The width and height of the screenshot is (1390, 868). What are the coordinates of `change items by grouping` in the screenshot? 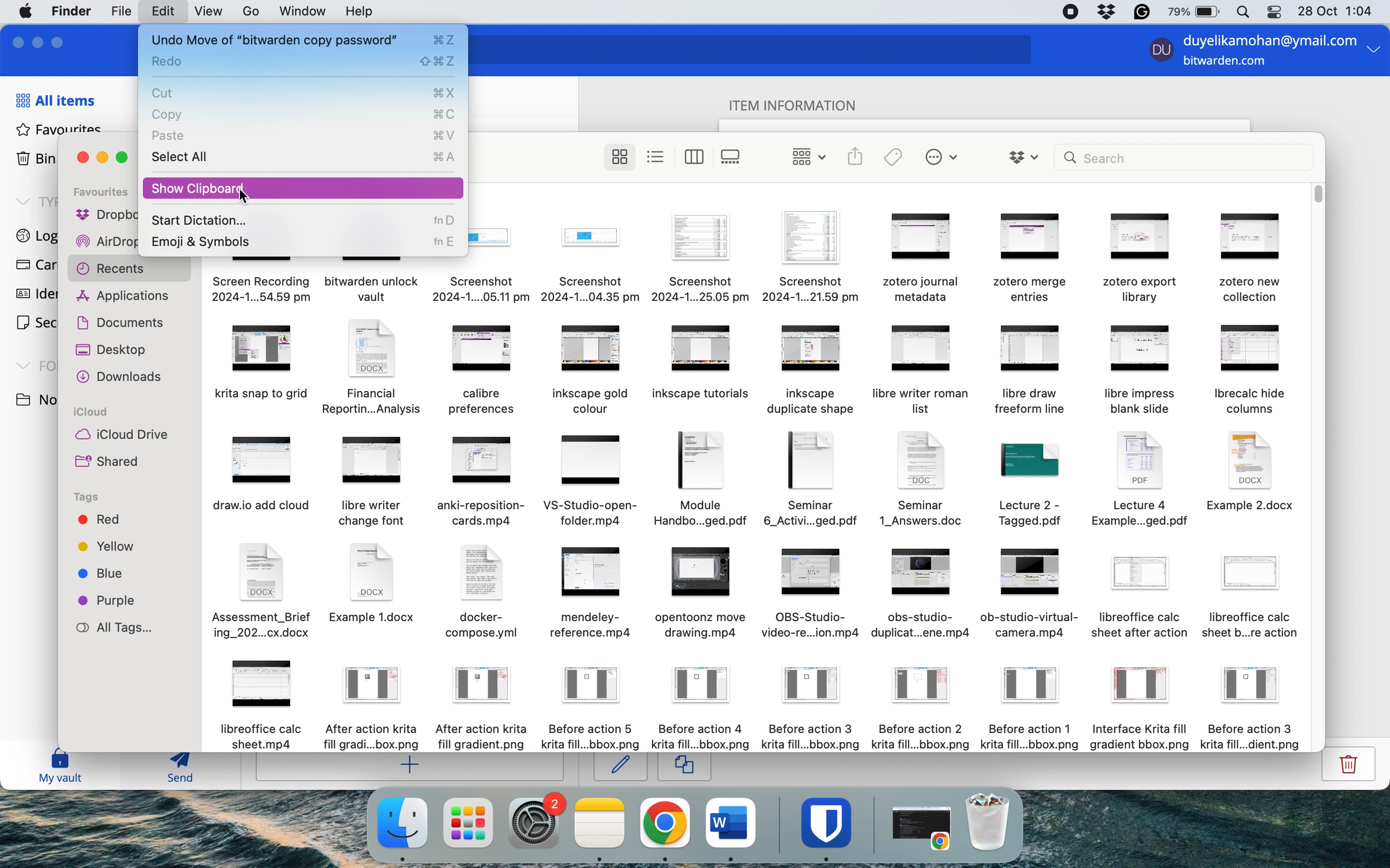 It's located at (802, 156).